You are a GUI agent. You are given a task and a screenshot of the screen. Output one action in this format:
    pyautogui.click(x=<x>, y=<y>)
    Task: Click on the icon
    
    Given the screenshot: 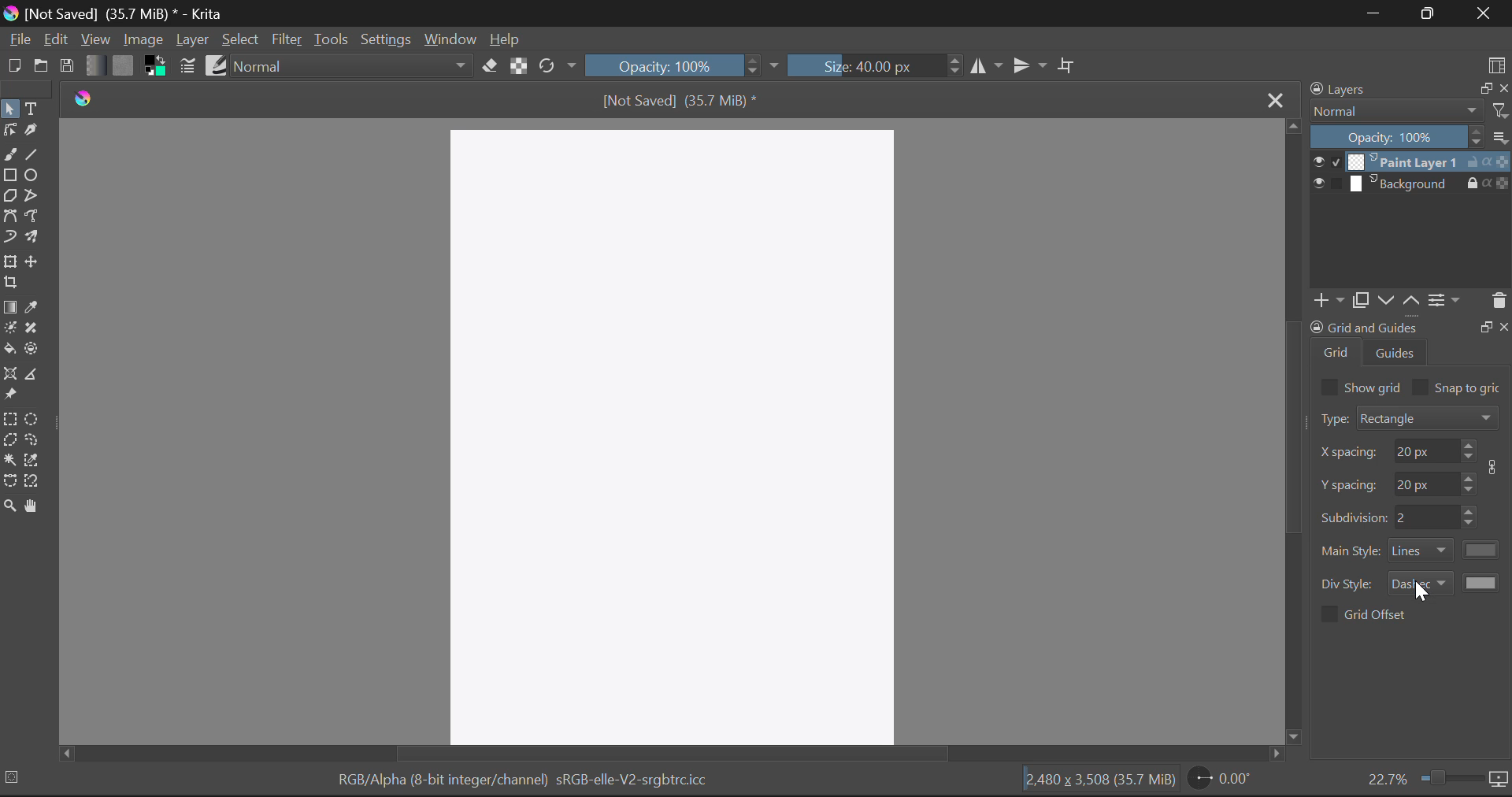 What is the action you would take?
    pyautogui.click(x=1496, y=467)
    